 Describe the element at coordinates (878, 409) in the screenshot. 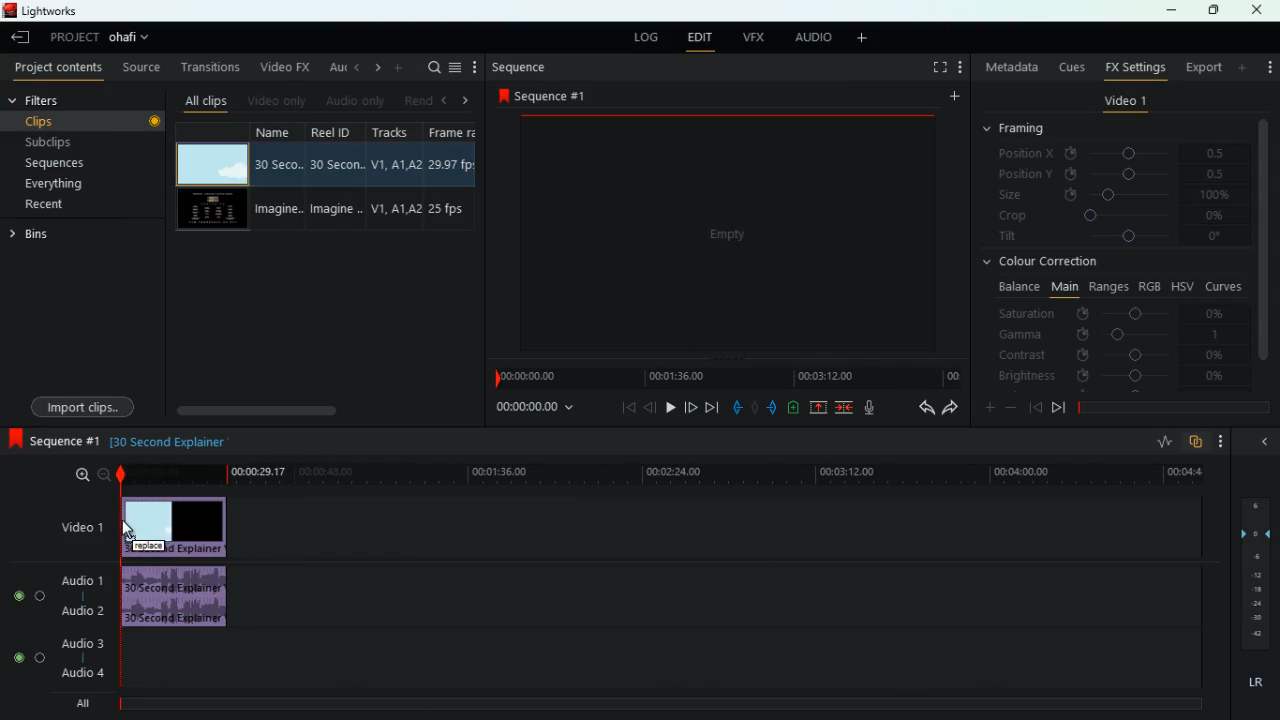

I see `mic` at that location.